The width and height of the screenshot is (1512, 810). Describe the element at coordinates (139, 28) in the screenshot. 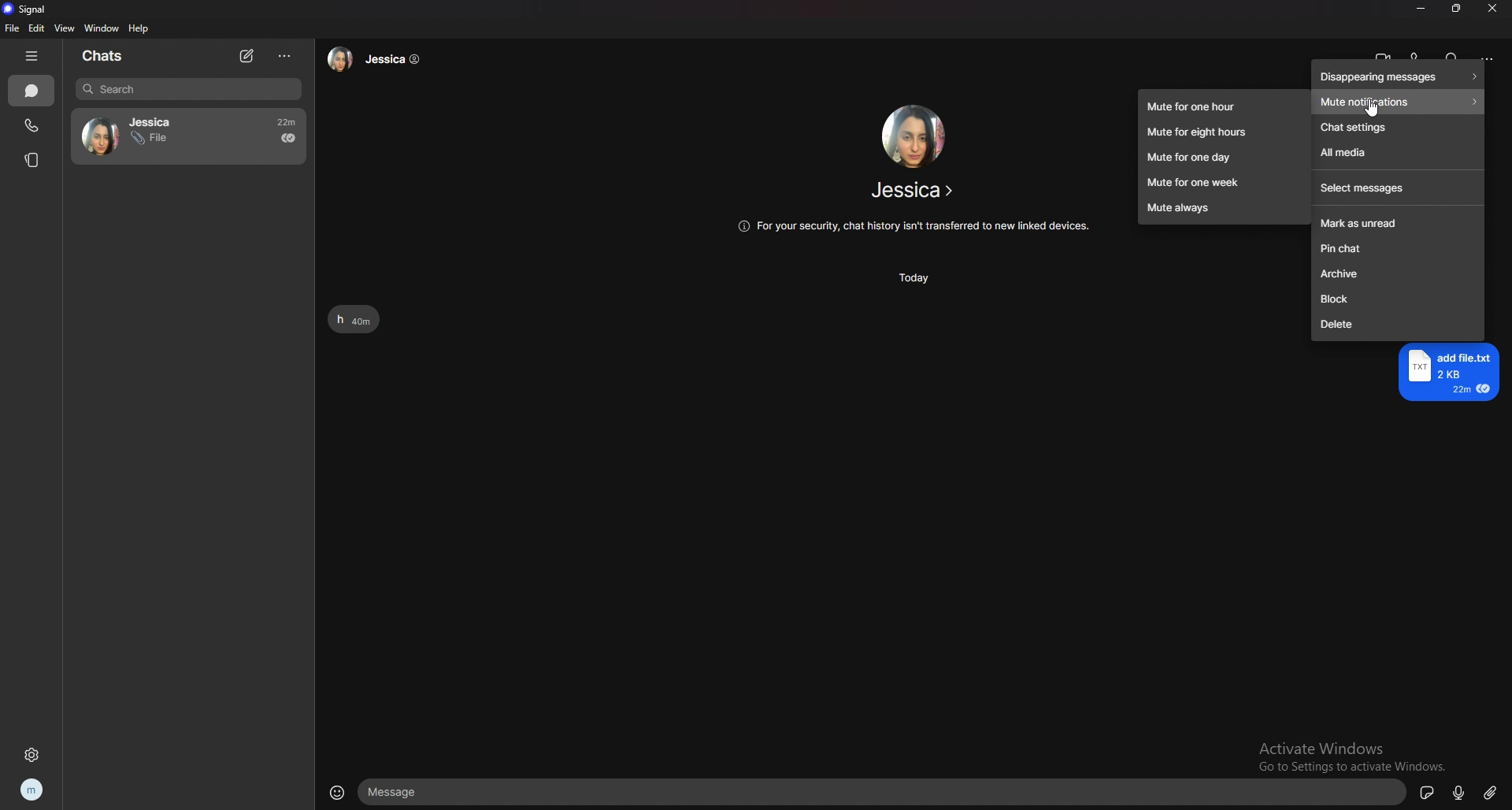

I see `help` at that location.